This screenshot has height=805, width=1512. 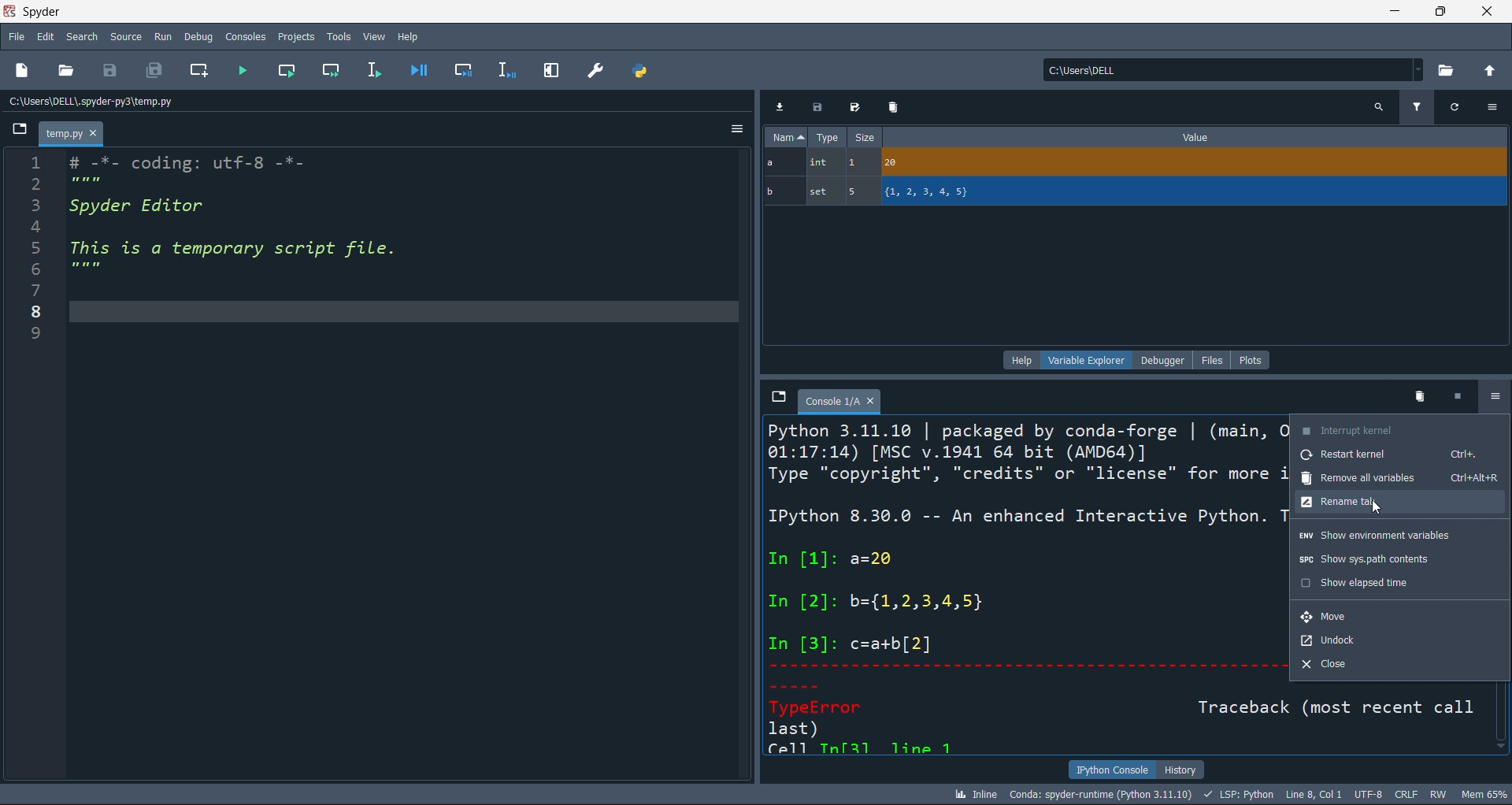 What do you see at coordinates (1370, 796) in the screenshot?
I see `UTF-8` at bounding box center [1370, 796].